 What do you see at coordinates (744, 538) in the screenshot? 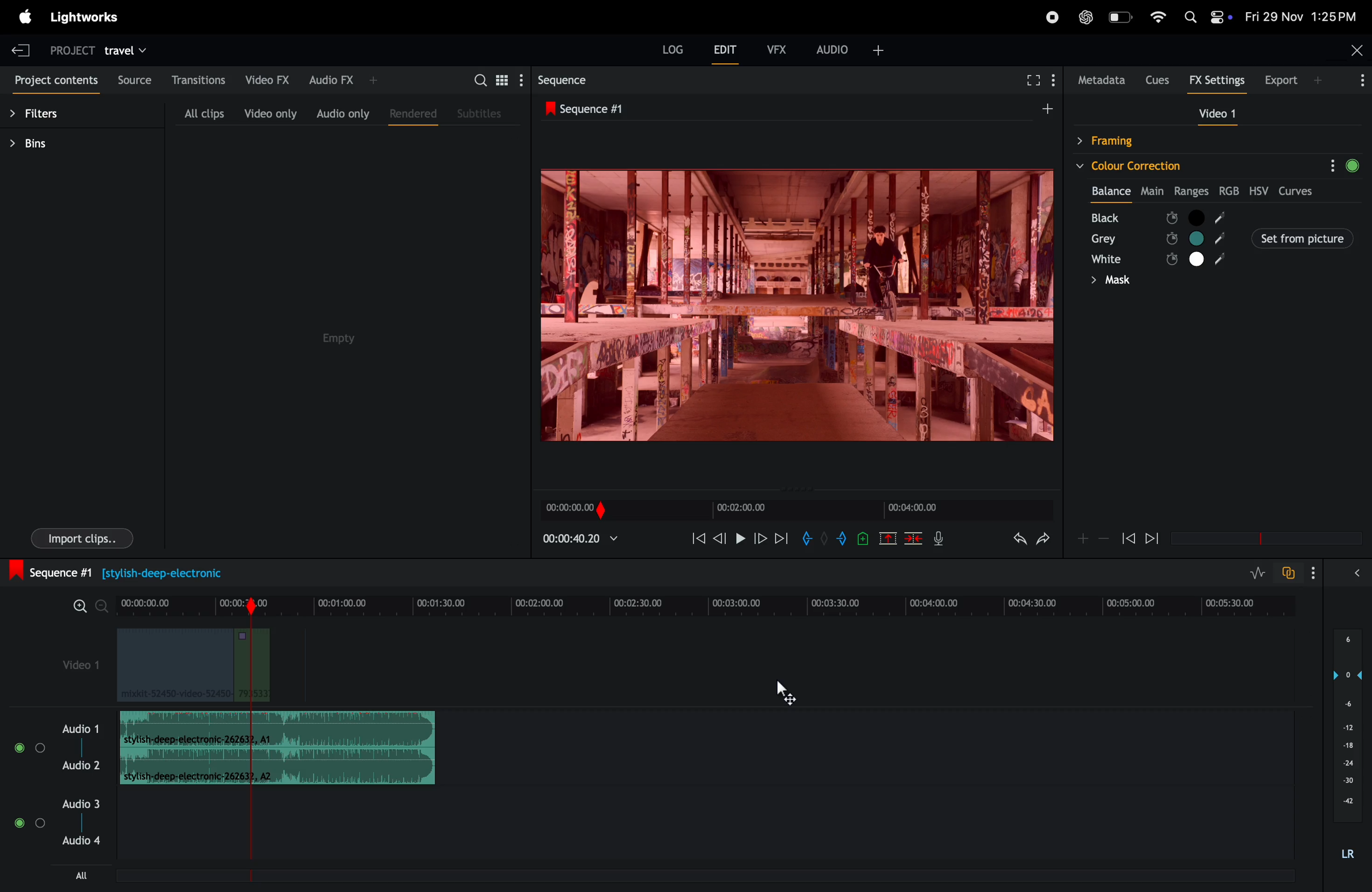
I see `pause and play` at bounding box center [744, 538].